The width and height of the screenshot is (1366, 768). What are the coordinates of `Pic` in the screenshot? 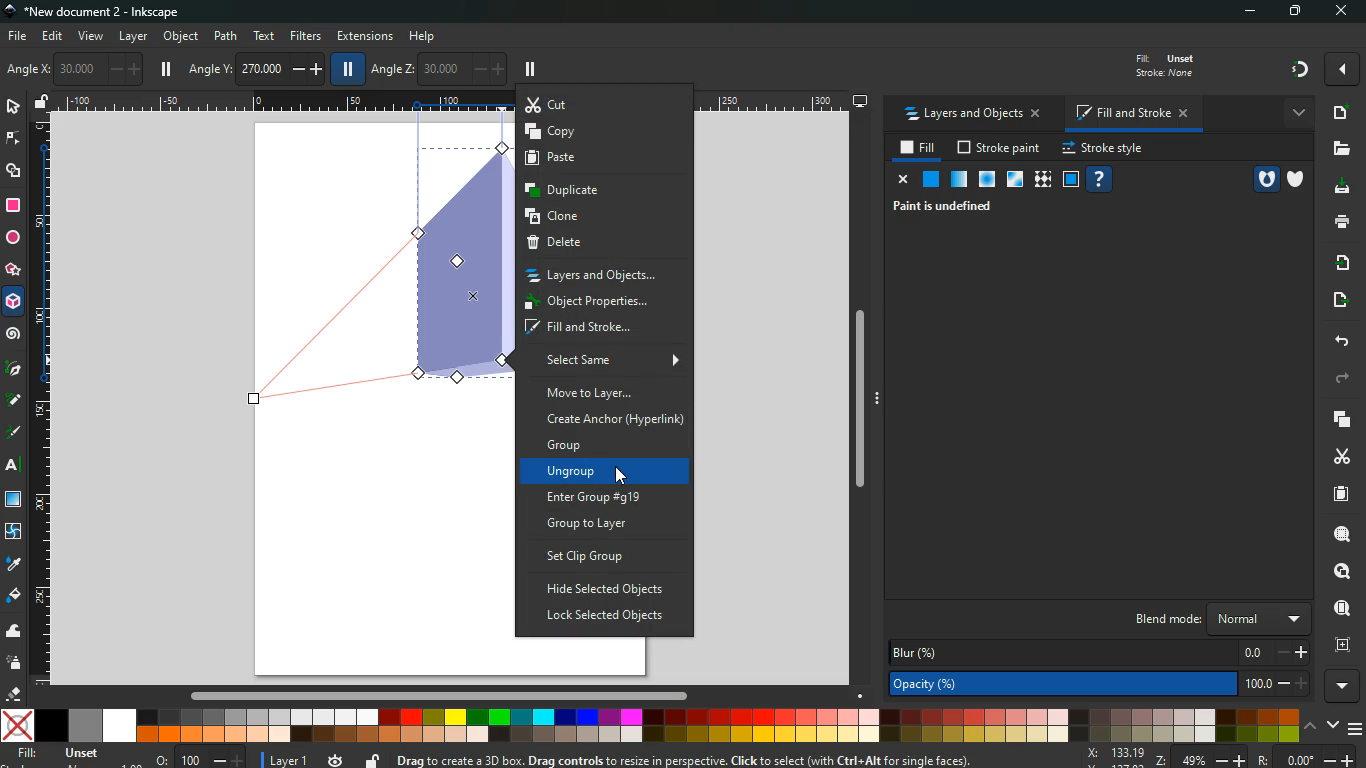 It's located at (14, 366).